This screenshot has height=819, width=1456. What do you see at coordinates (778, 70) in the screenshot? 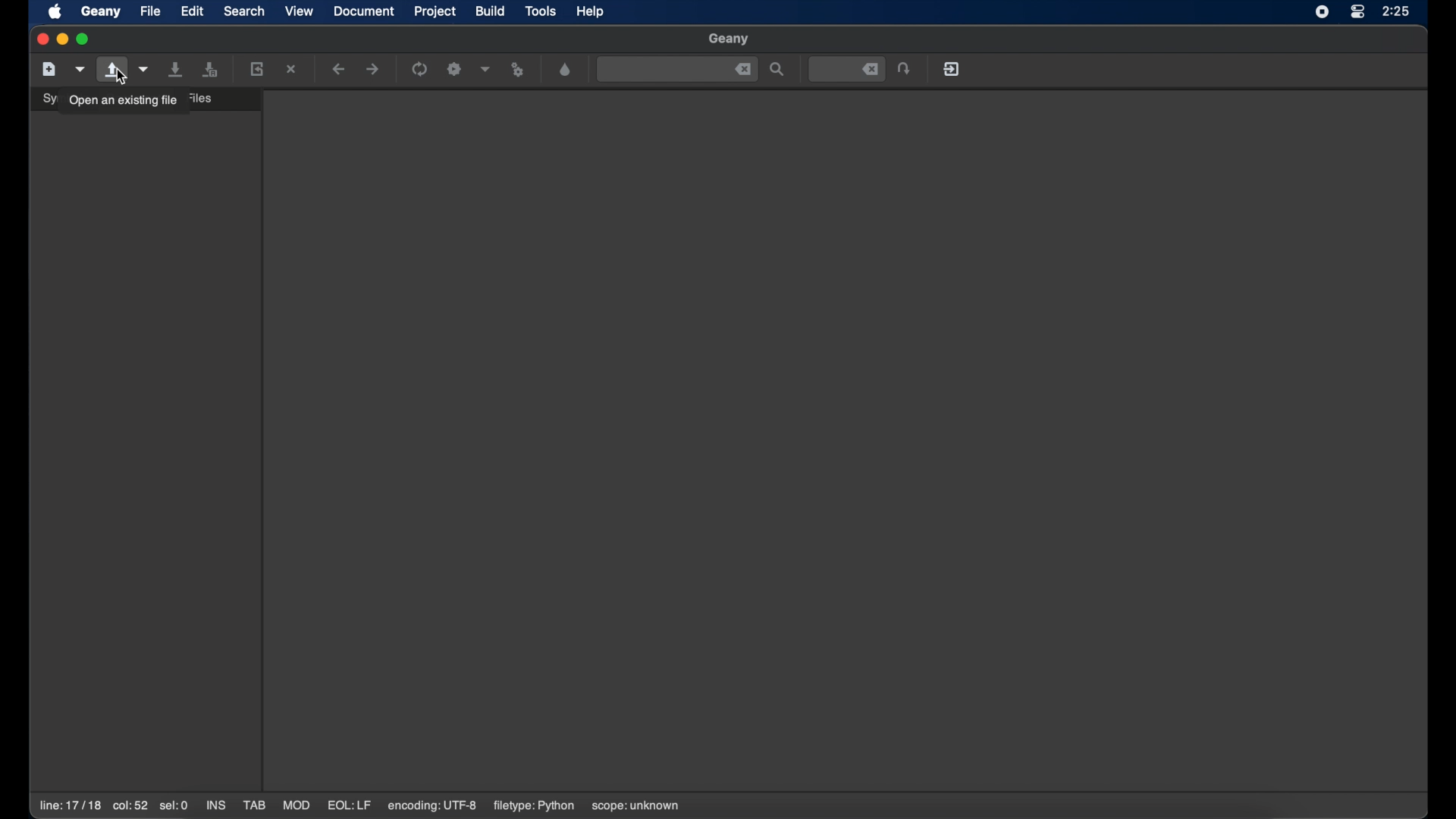
I see `search` at bounding box center [778, 70].